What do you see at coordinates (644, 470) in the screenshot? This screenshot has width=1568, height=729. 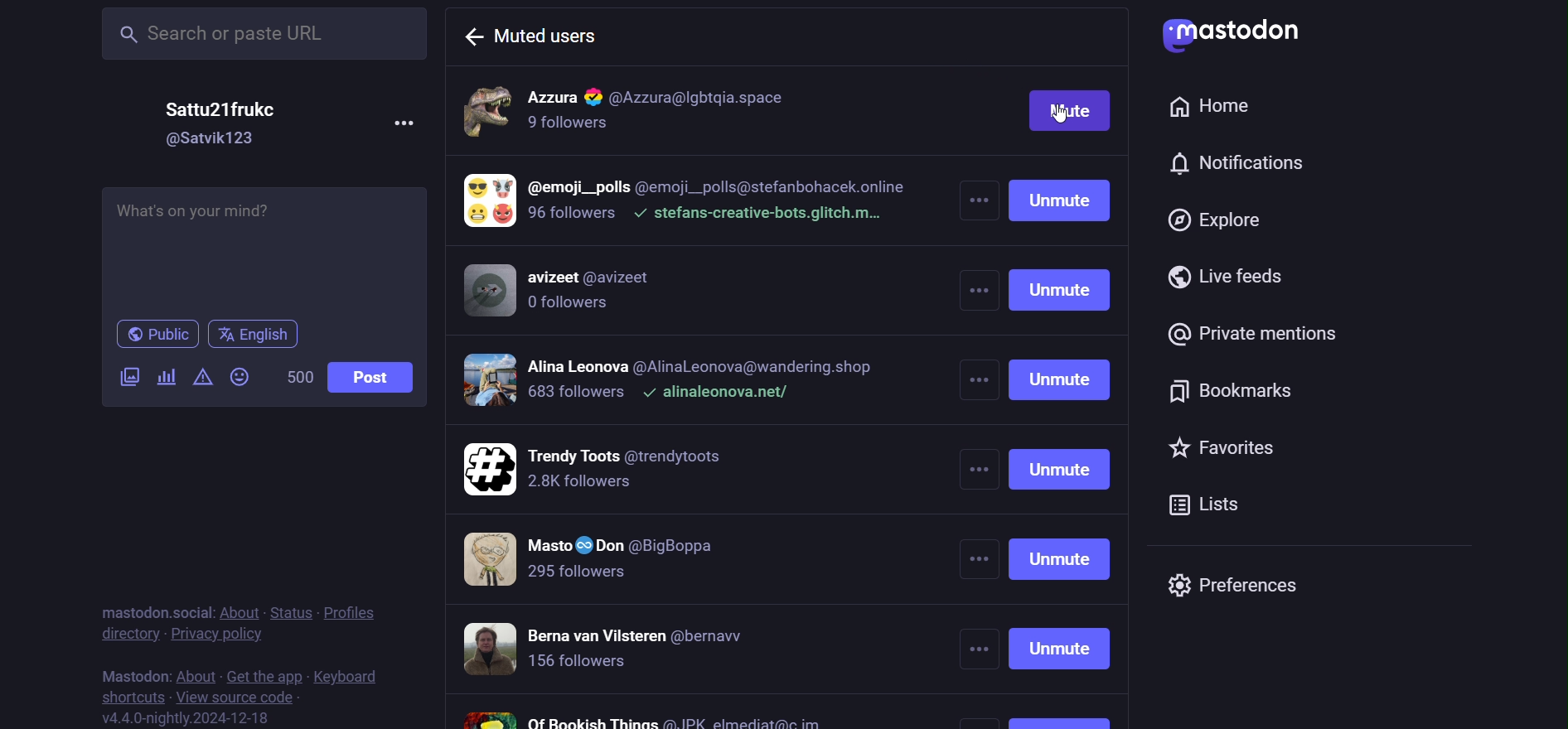 I see `muted user 5` at bounding box center [644, 470].